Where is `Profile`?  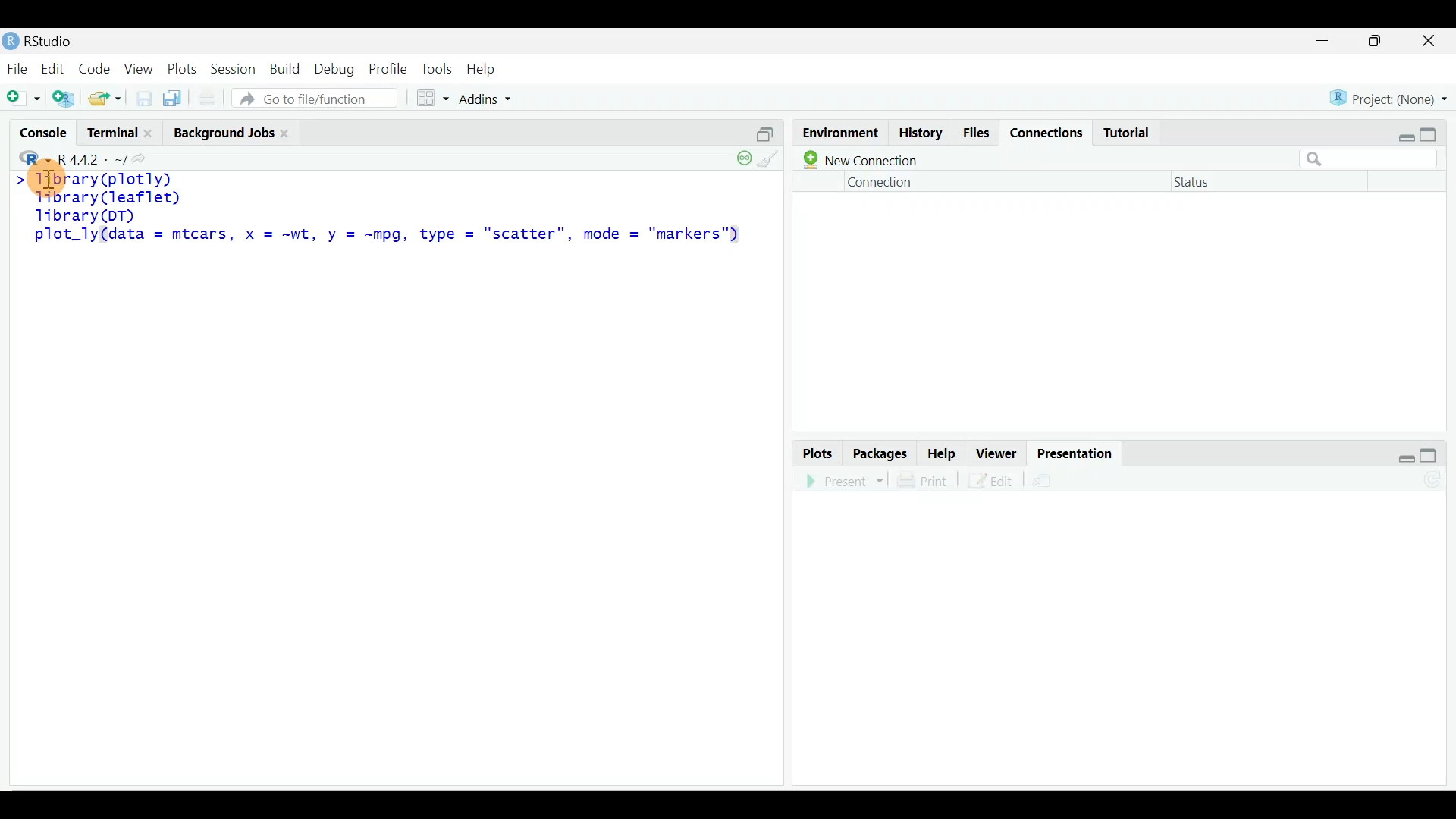 Profile is located at coordinates (388, 67).